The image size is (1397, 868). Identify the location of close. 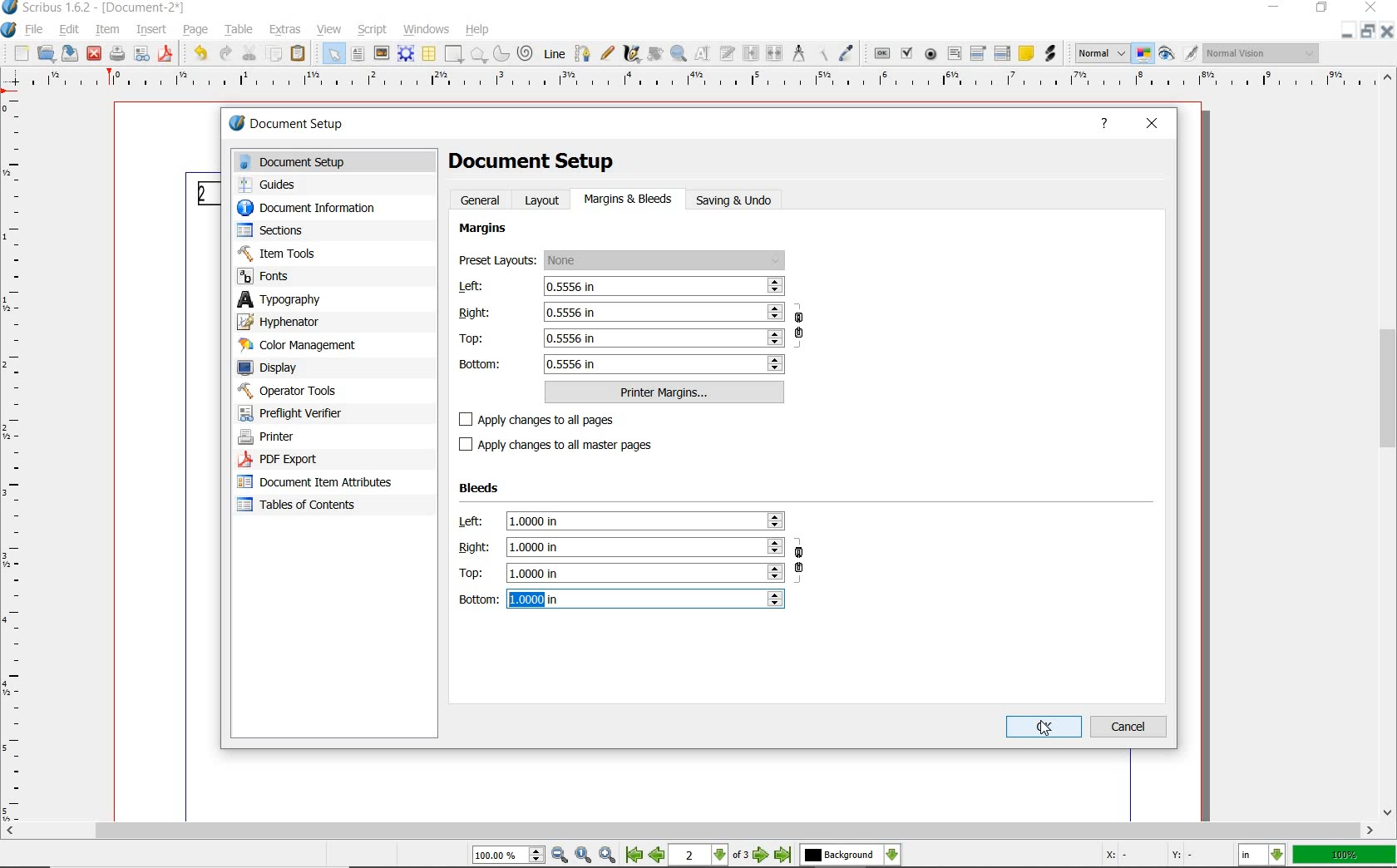
(1154, 121).